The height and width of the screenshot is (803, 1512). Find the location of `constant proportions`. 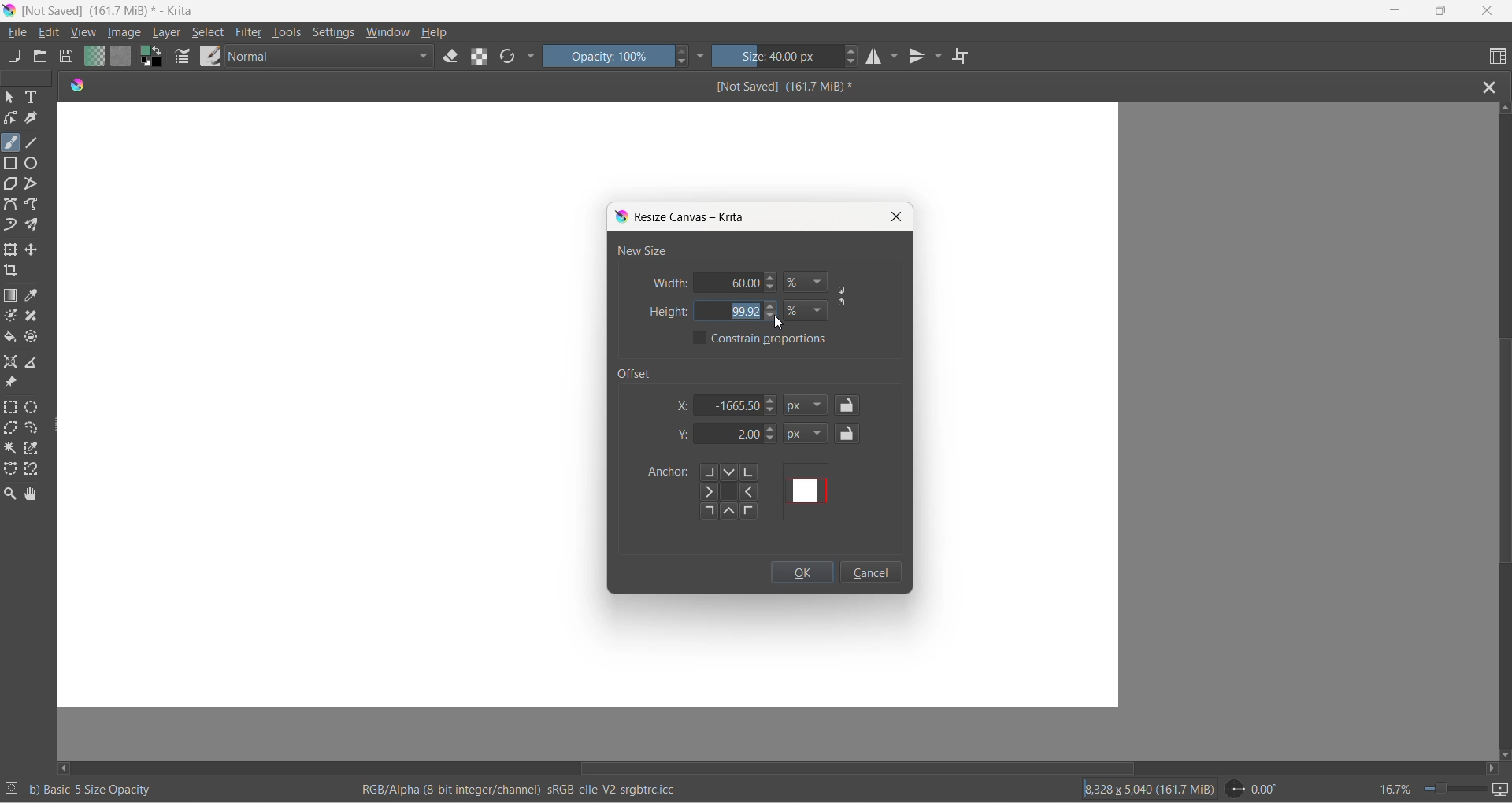

constant proportions is located at coordinates (774, 339).